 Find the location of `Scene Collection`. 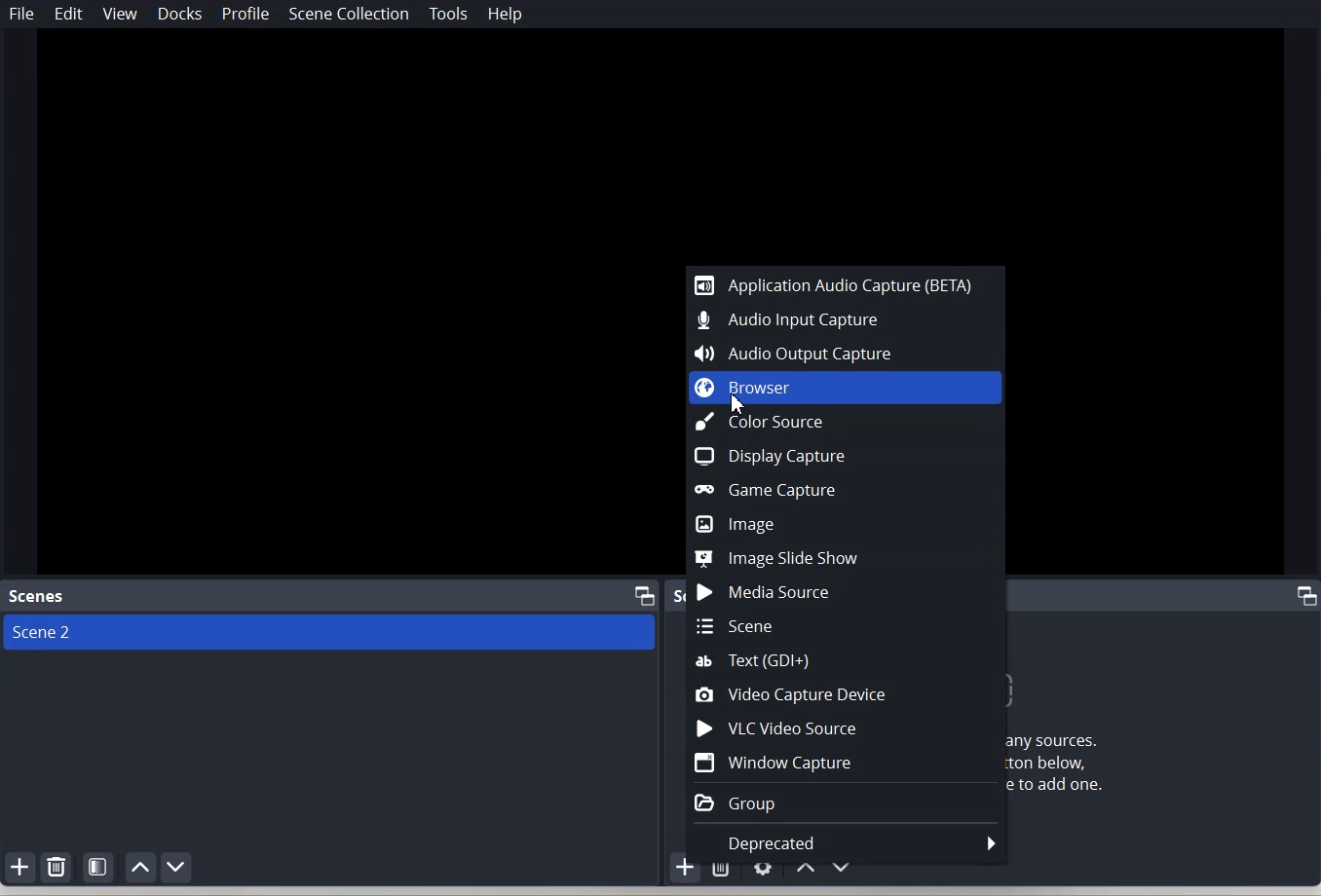

Scene Collection is located at coordinates (348, 14).